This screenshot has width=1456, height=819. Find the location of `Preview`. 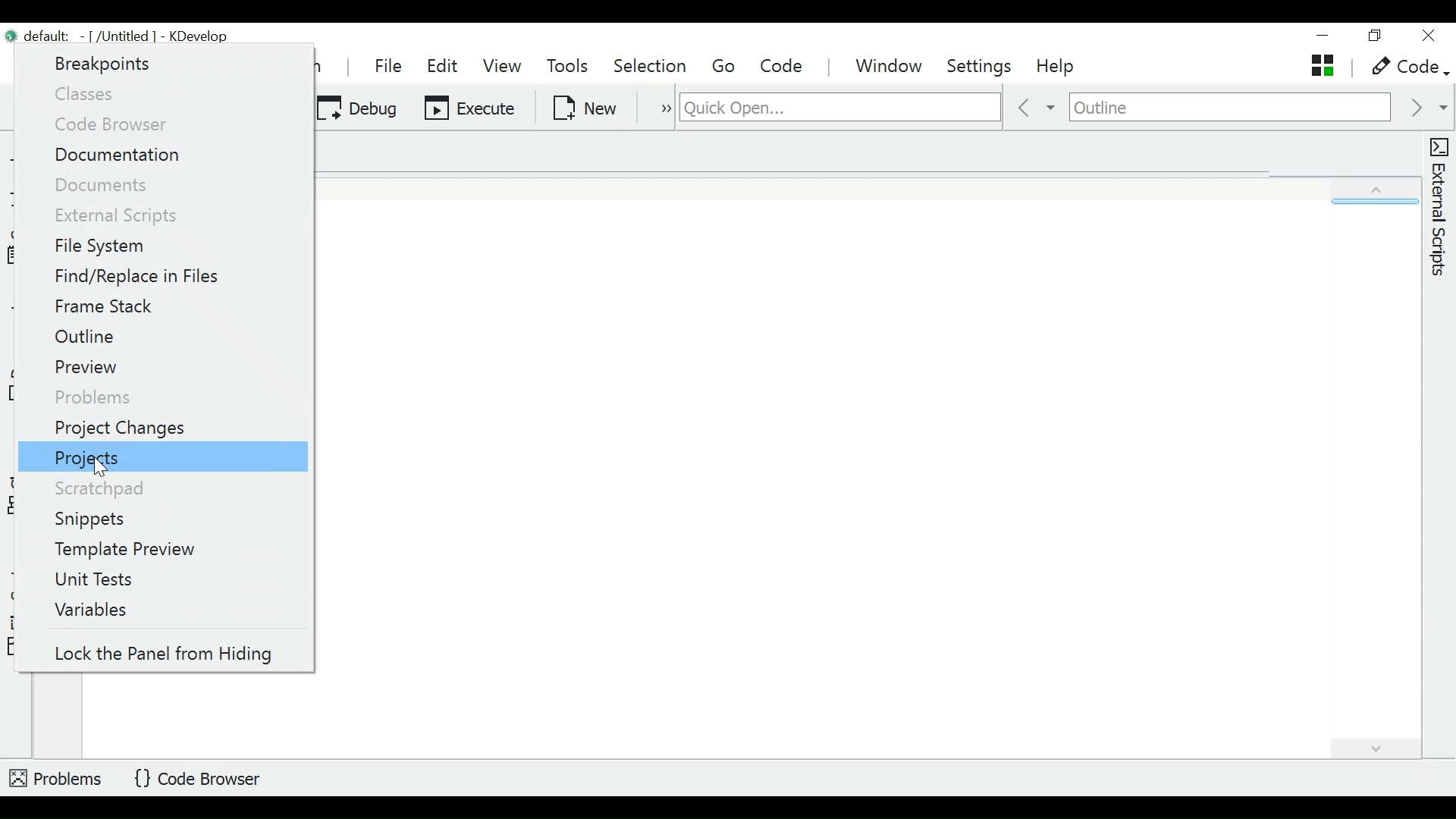

Preview is located at coordinates (88, 369).